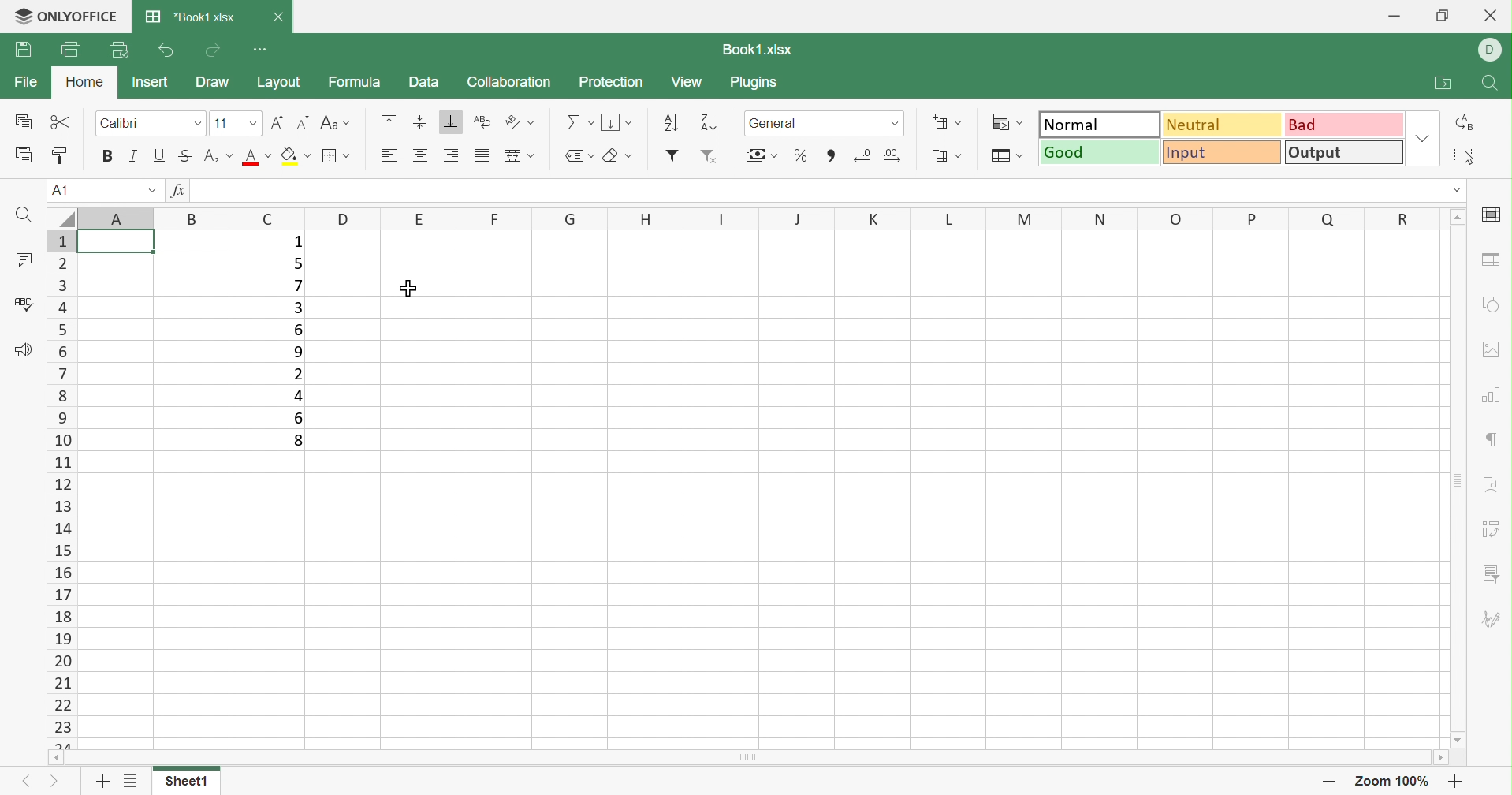 Image resolution: width=1512 pixels, height=795 pixels. Describe the element at coordinates (1011, 121) in the screenshot. I see `Conditional formatting` at that location.